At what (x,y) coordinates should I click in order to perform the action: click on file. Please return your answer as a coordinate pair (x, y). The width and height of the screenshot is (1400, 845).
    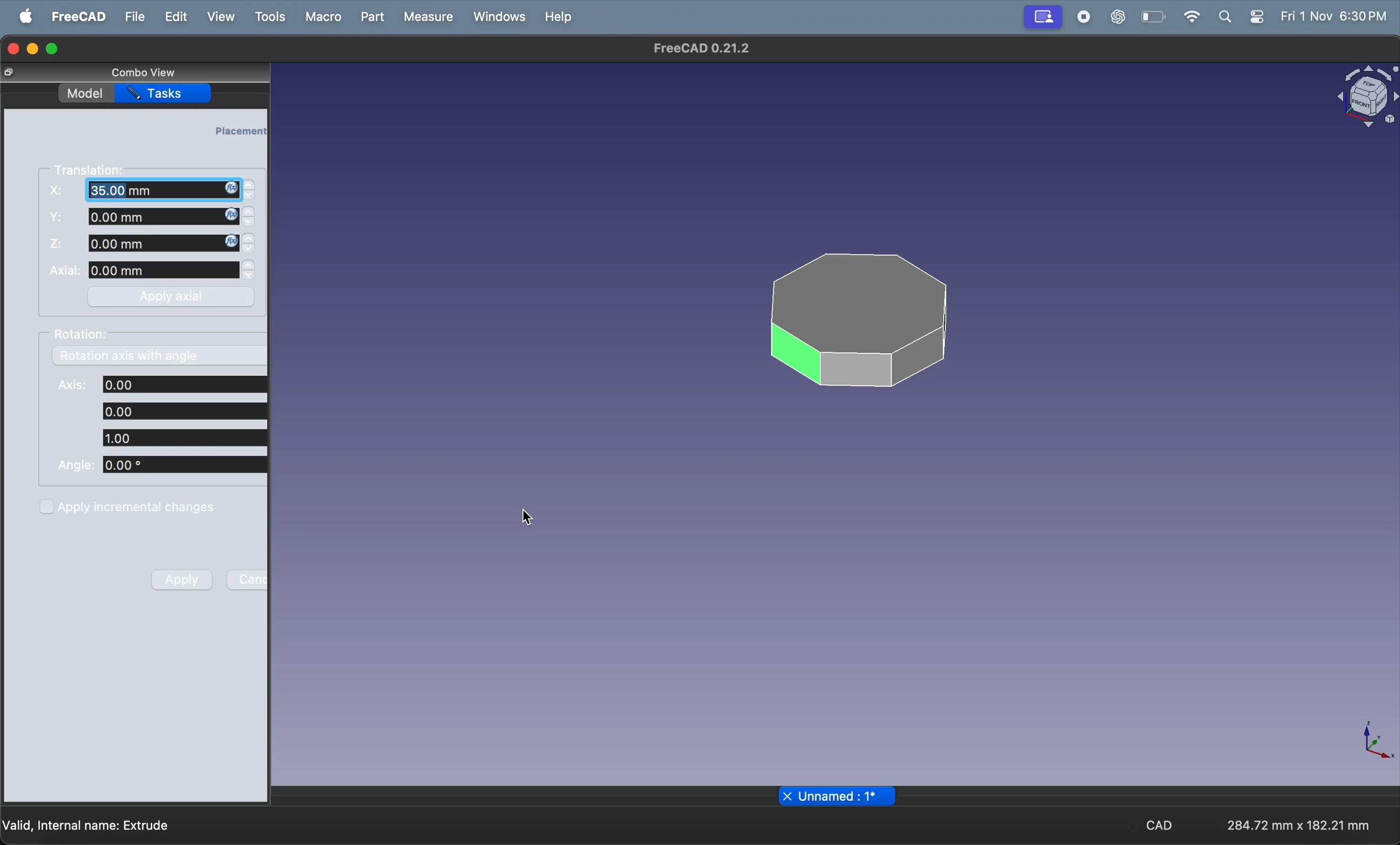
    Looking at the image, I should click on (134, 16).